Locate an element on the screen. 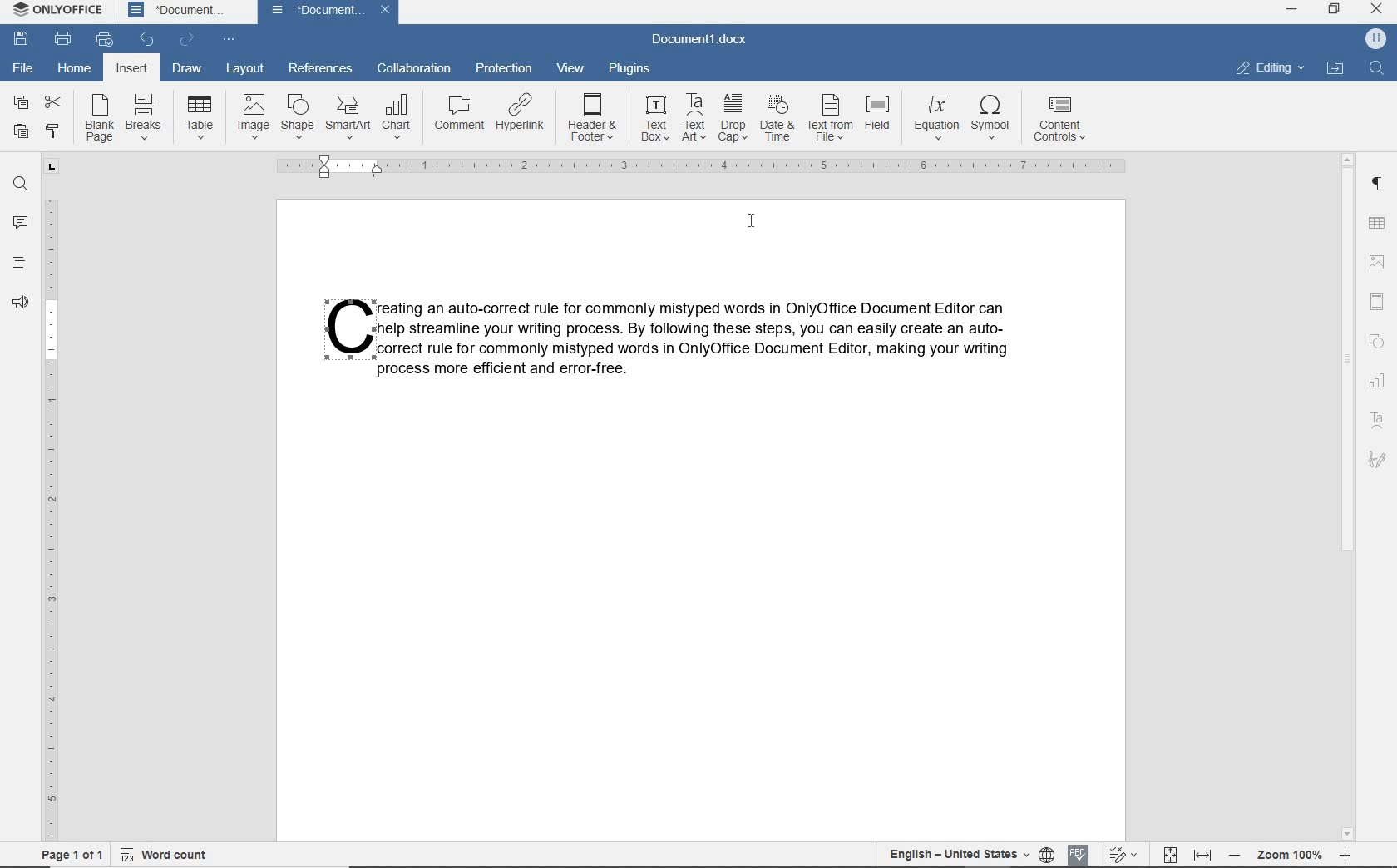 This screenshot has height=868, width=1397. quick print is located at coordinates (105, 39).